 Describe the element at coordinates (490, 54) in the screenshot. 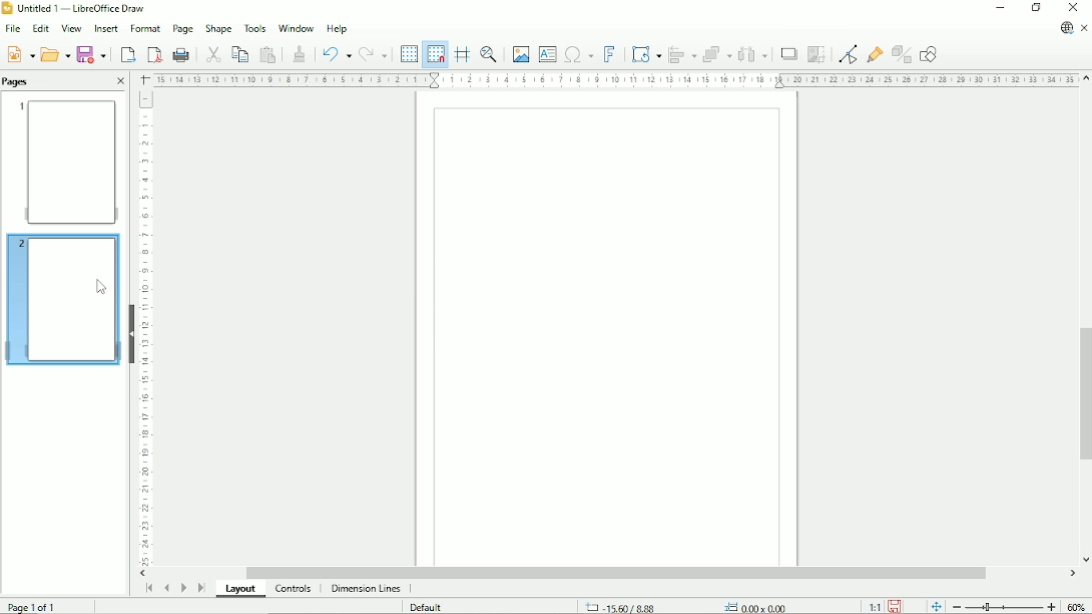

I see `Zoom & pan` at that location.